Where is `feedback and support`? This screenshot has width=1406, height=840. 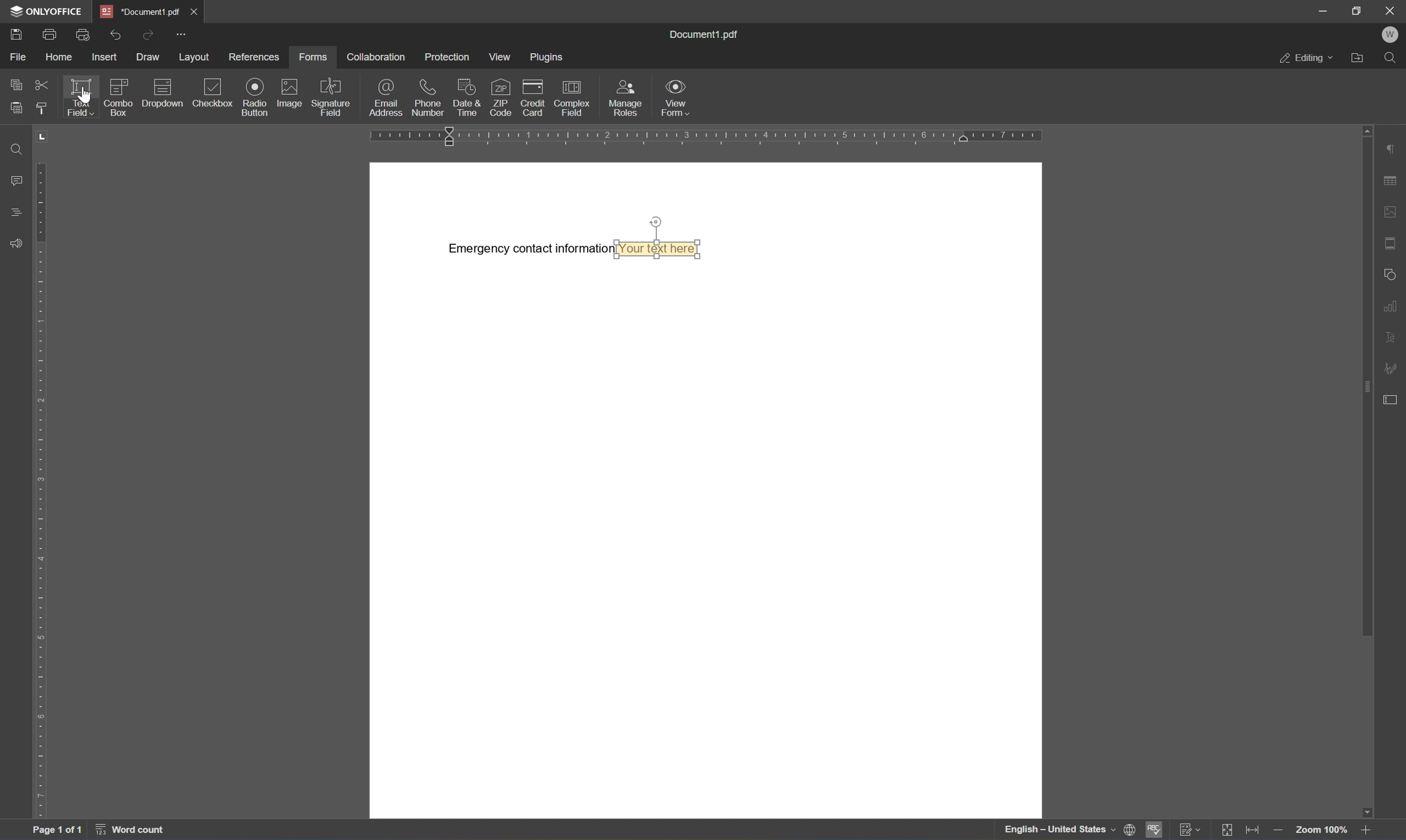 feedback and support is located at coordinates (14, 245).